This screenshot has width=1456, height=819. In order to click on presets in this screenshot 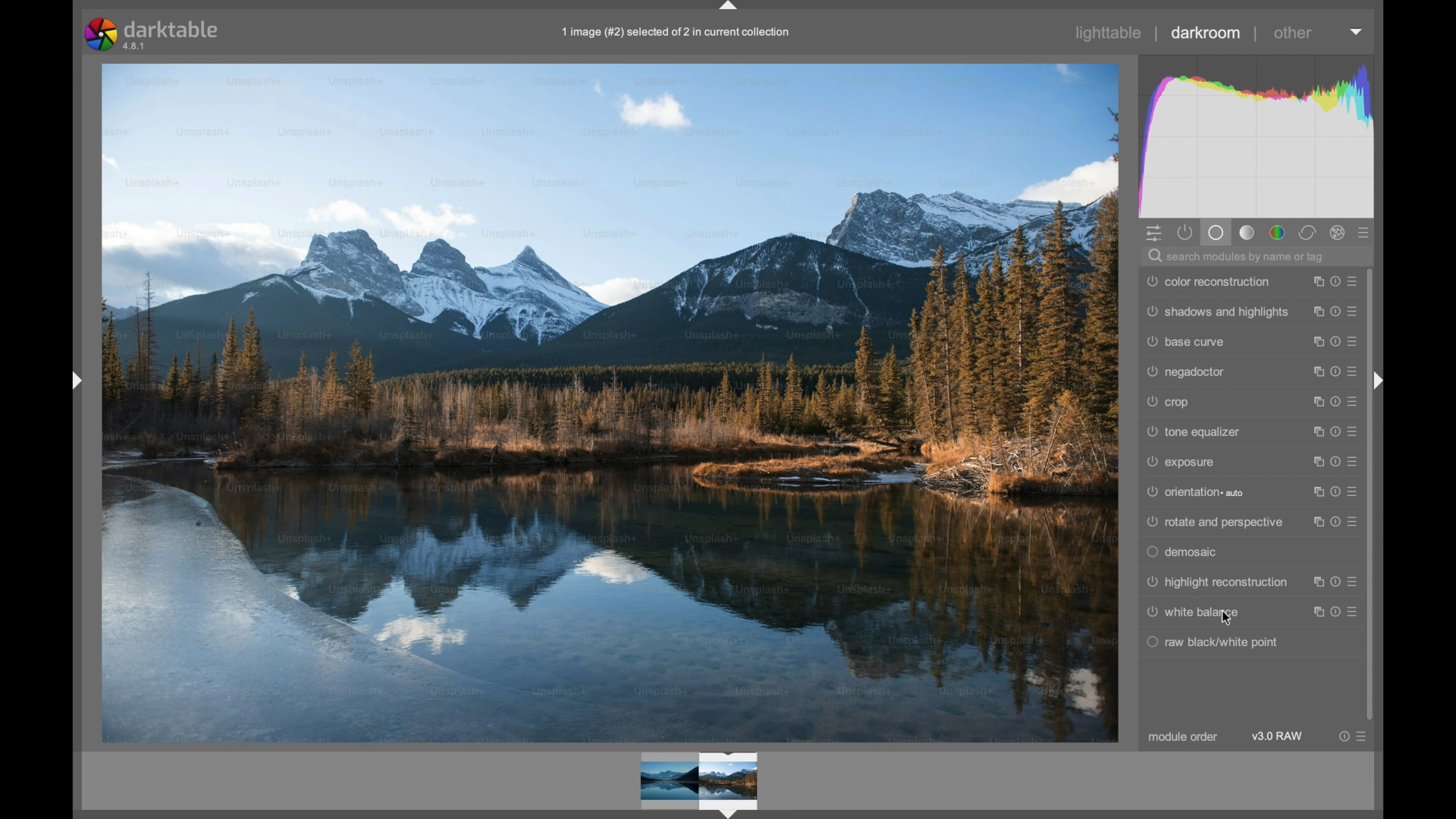, I will do `click(1363, 736)`.